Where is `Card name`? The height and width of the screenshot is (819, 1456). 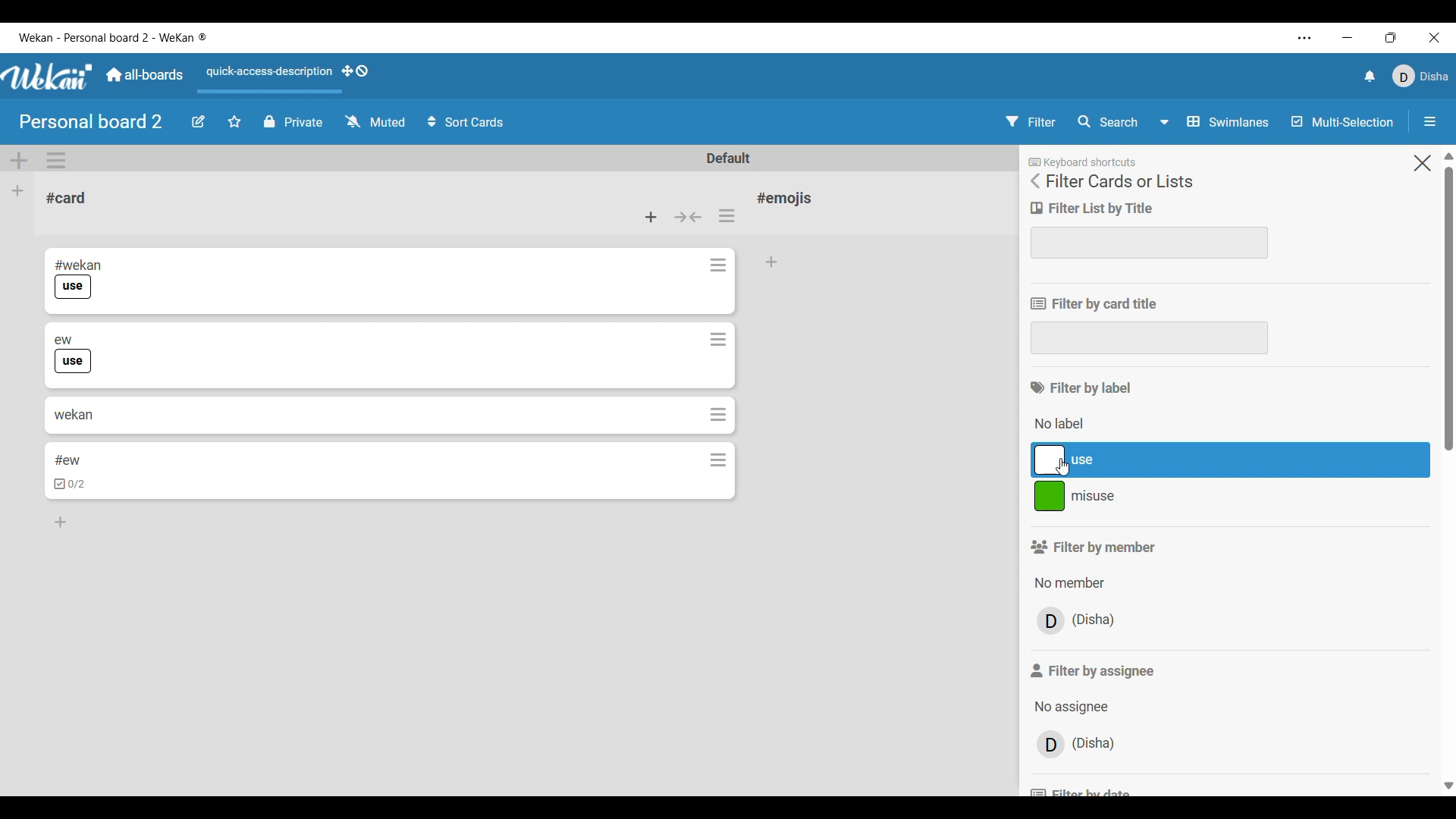
Card name is located at coordinates (66, 198).